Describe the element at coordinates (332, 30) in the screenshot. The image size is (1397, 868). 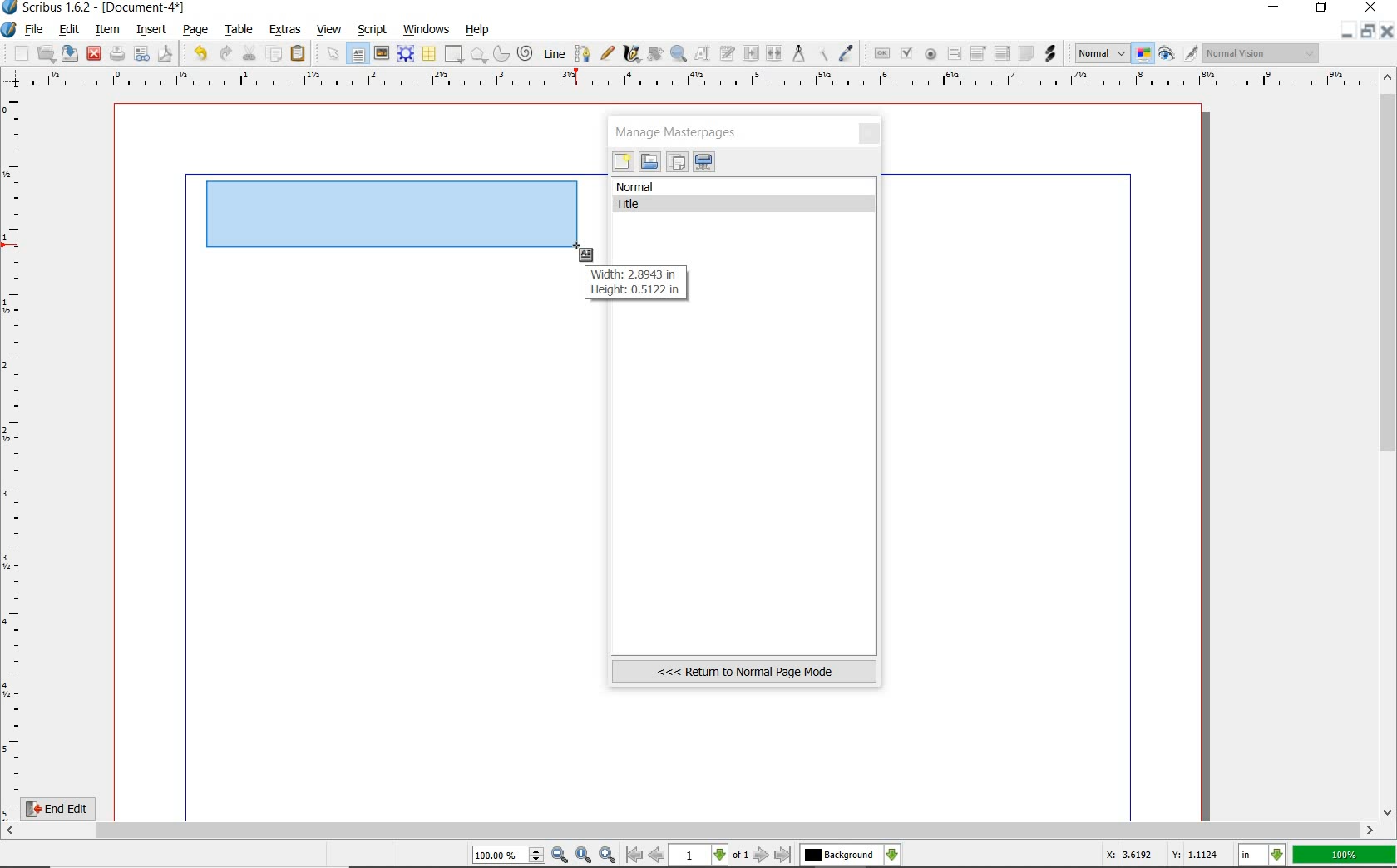
I see `view` at that location.